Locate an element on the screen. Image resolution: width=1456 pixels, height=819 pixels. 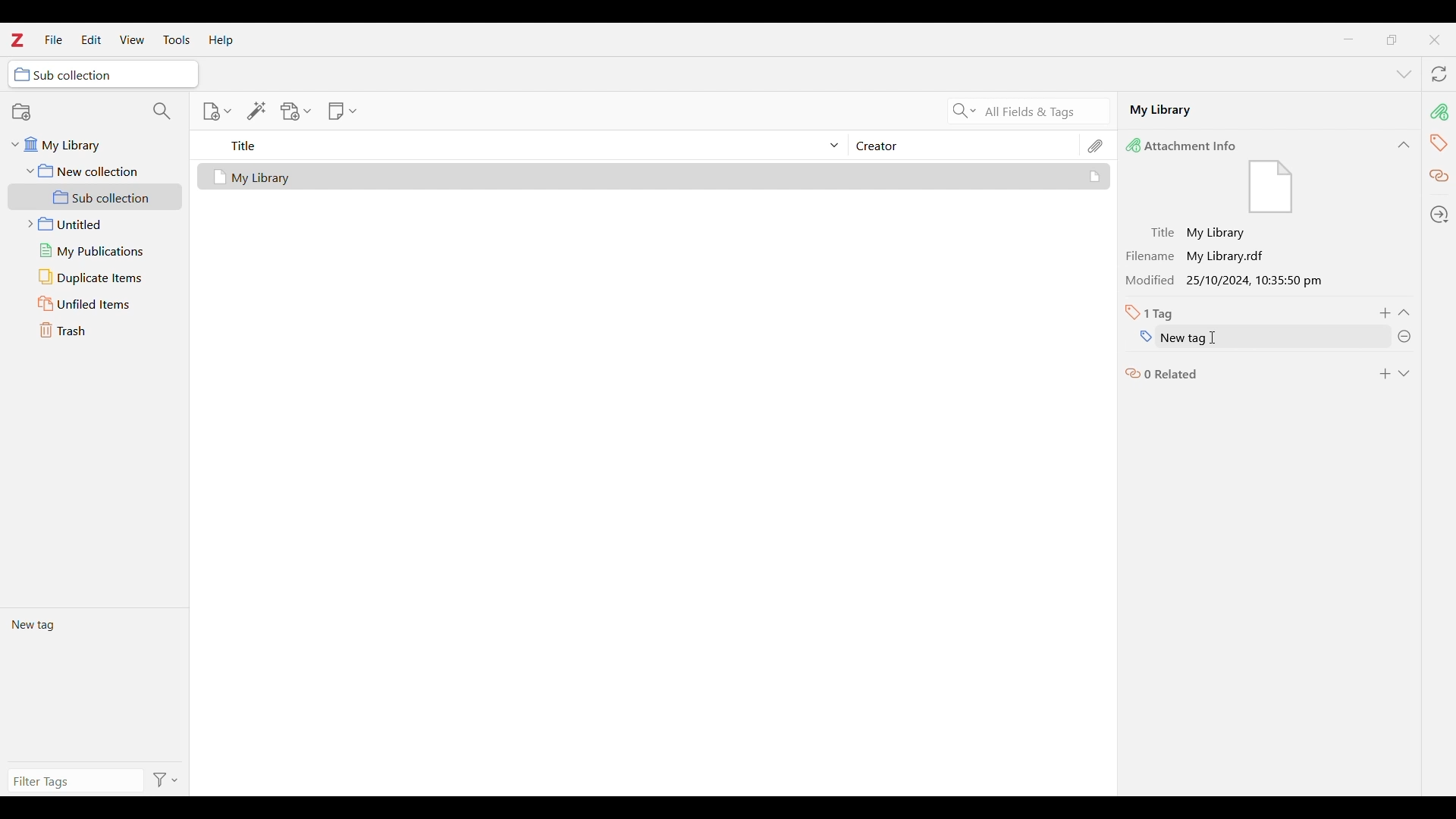
Duplicate items folder is located at coordinates (96, 278).